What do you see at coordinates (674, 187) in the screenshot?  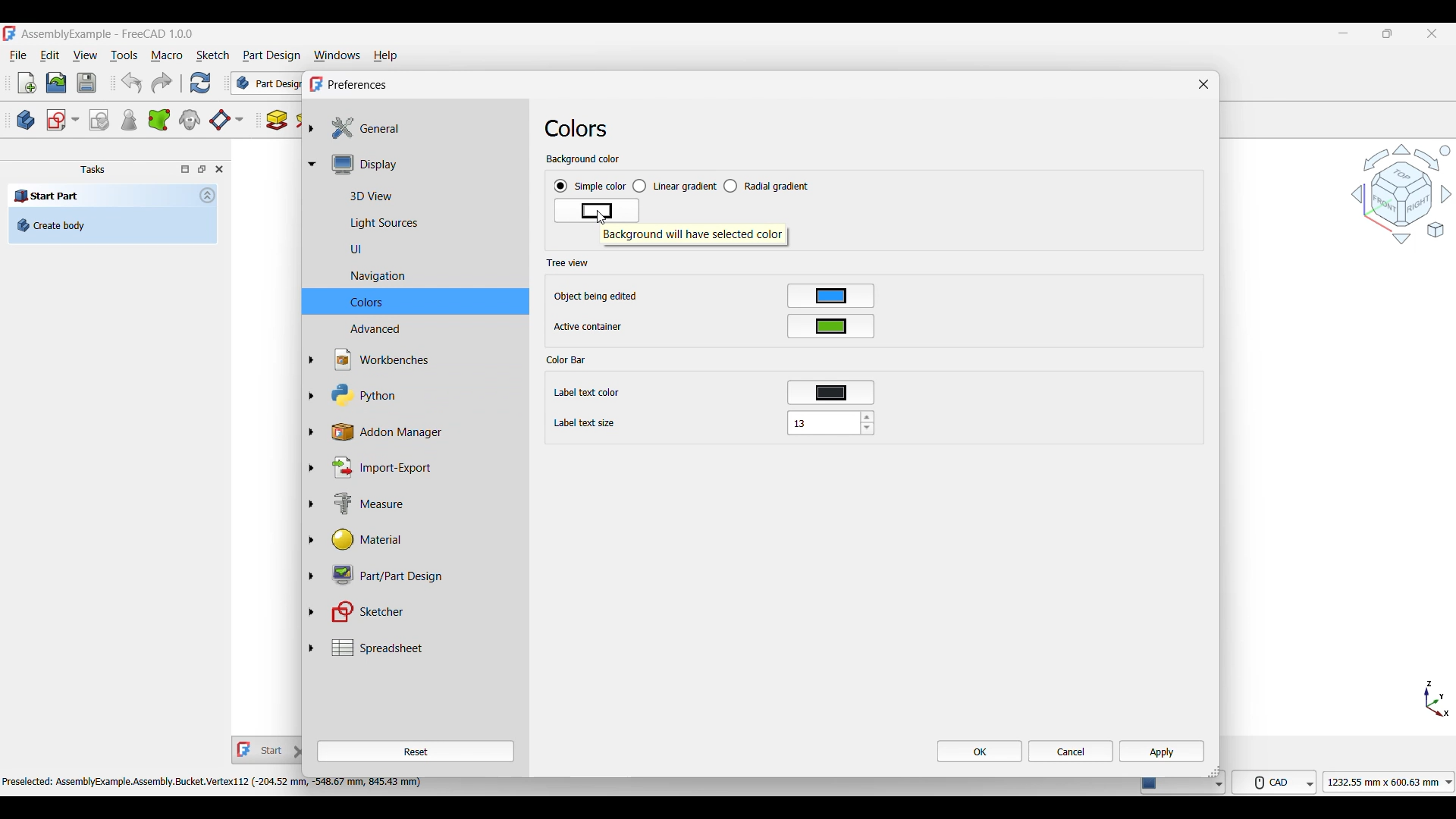 I see `Linear gradient toggle` at bounding box center [674, 187].